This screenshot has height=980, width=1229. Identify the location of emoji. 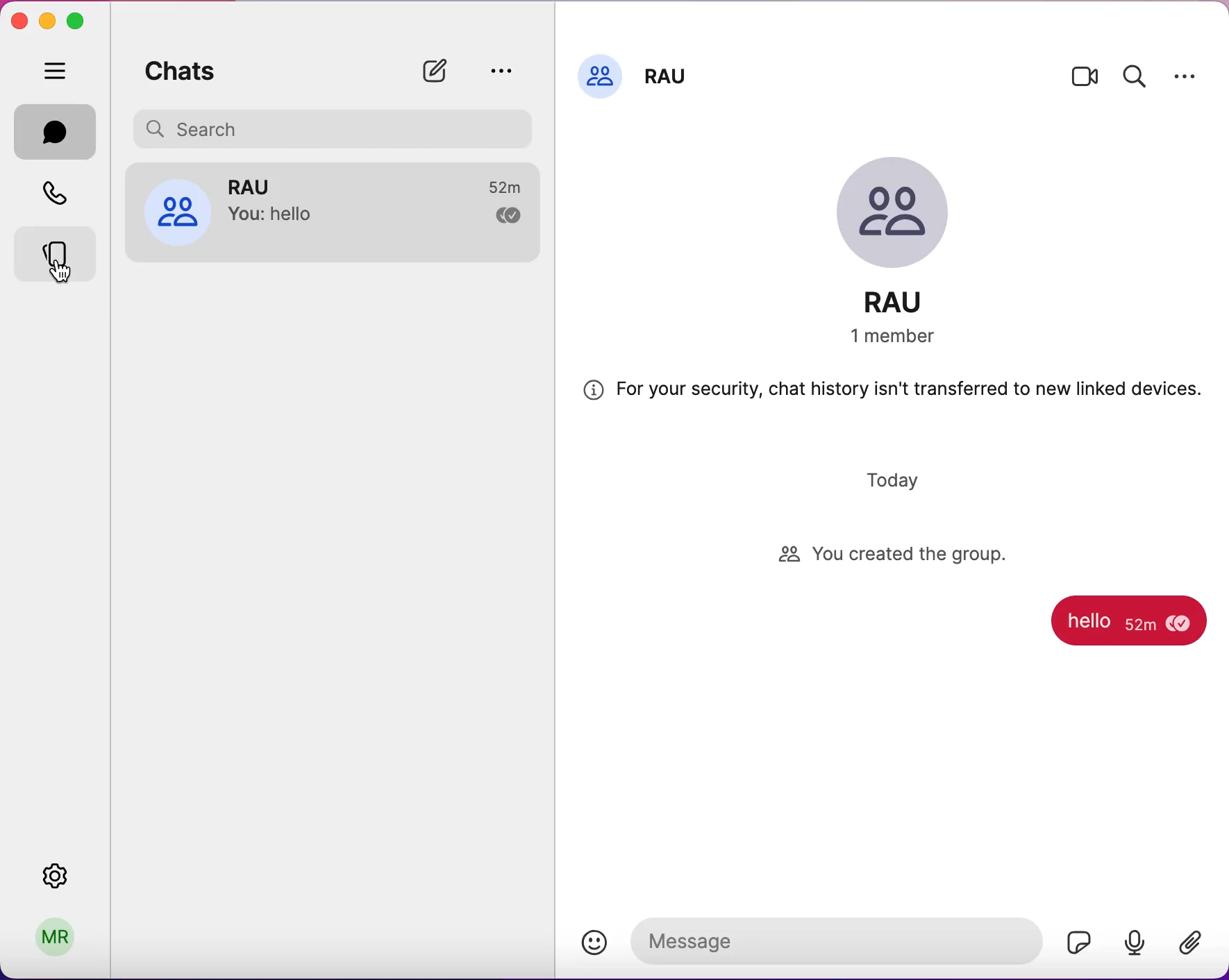
(594, 941).